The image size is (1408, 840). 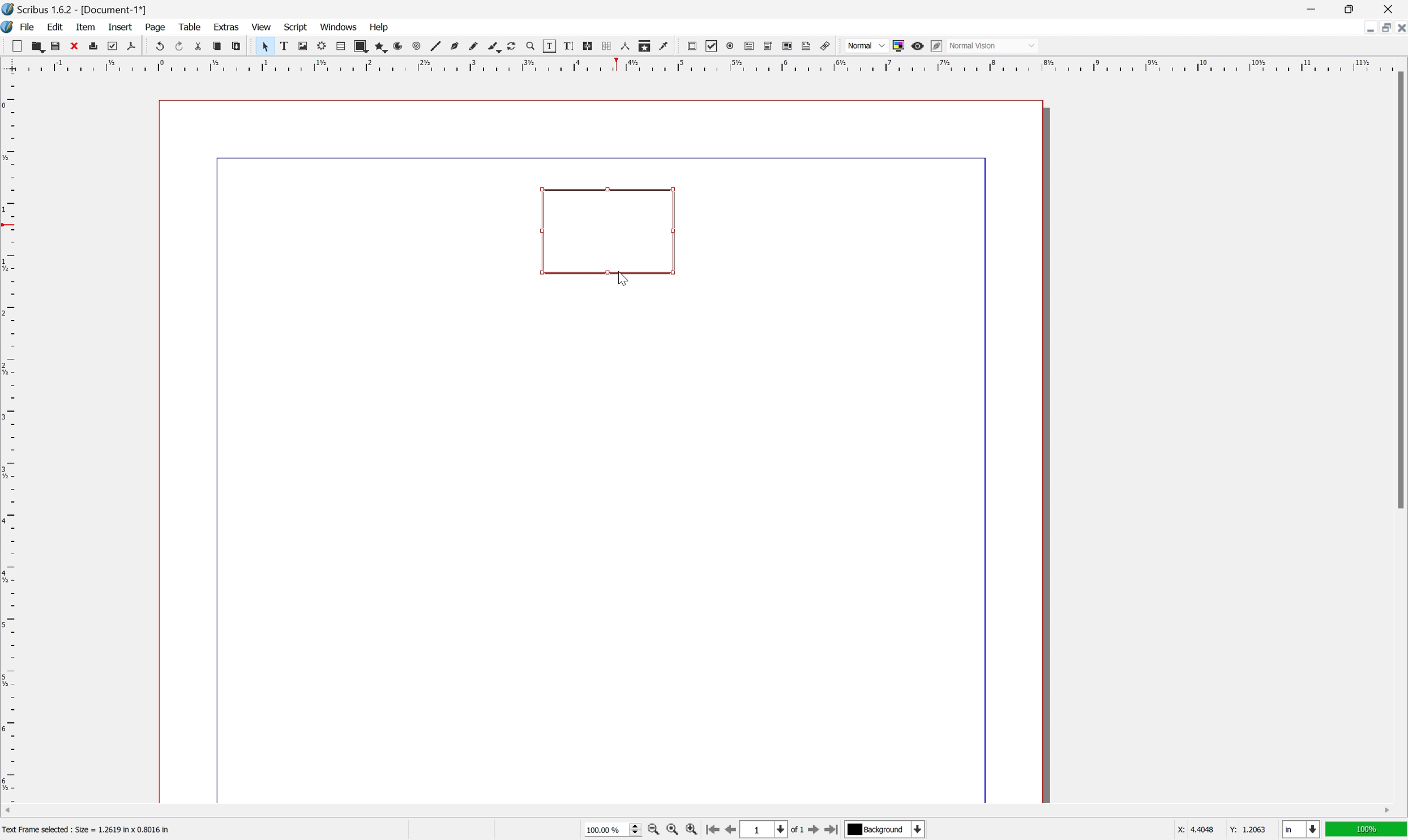 I want to click on save, so click(x=54, y=46).